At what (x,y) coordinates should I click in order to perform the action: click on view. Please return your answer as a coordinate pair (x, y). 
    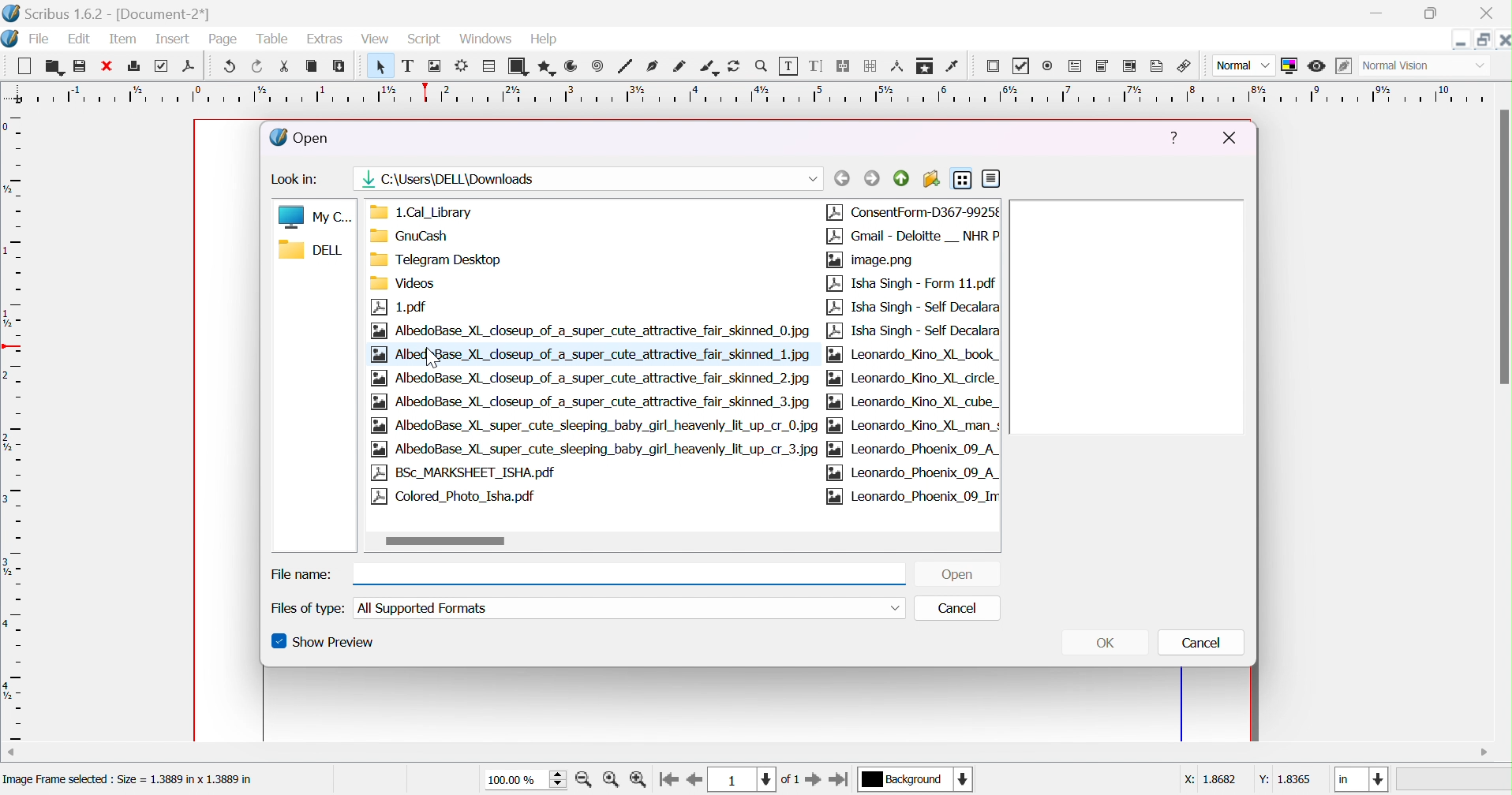
    Looking at the image, I should click on (372, 38).